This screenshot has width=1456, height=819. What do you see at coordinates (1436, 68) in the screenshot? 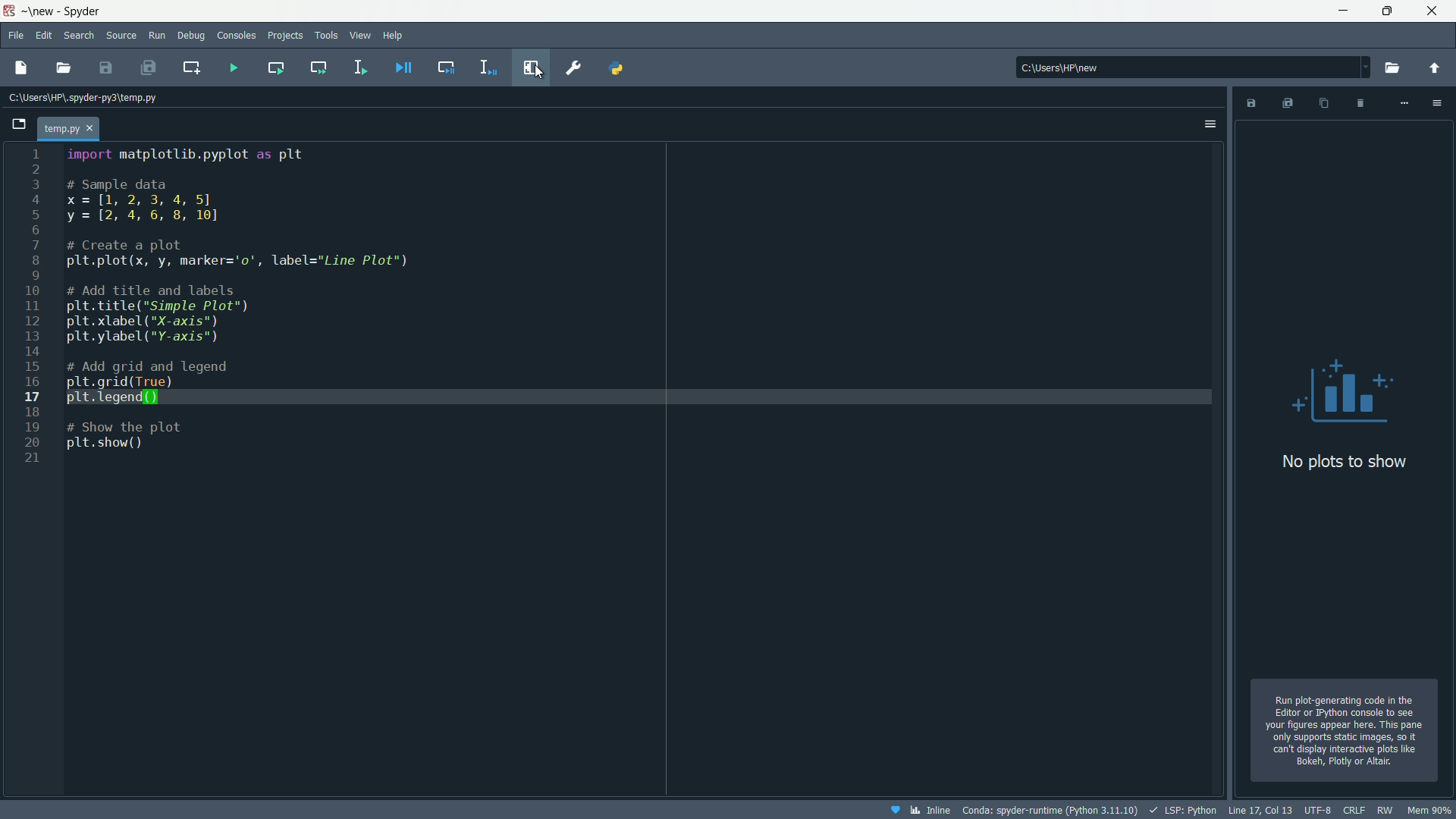
I see `parent directory` at bounding box center [1436, 68].